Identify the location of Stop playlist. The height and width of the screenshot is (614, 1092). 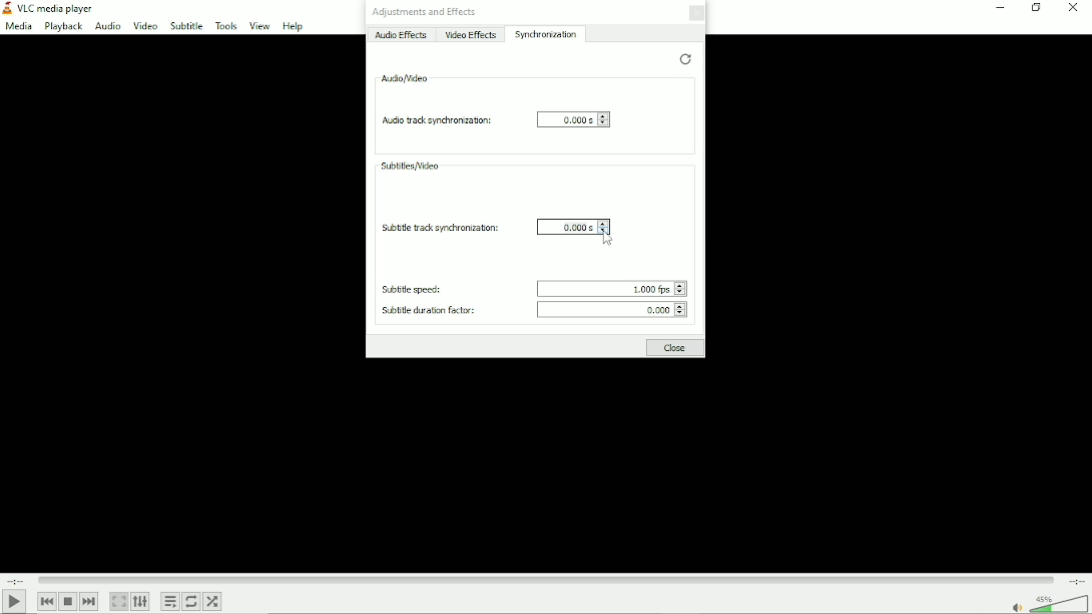
(69, 601).